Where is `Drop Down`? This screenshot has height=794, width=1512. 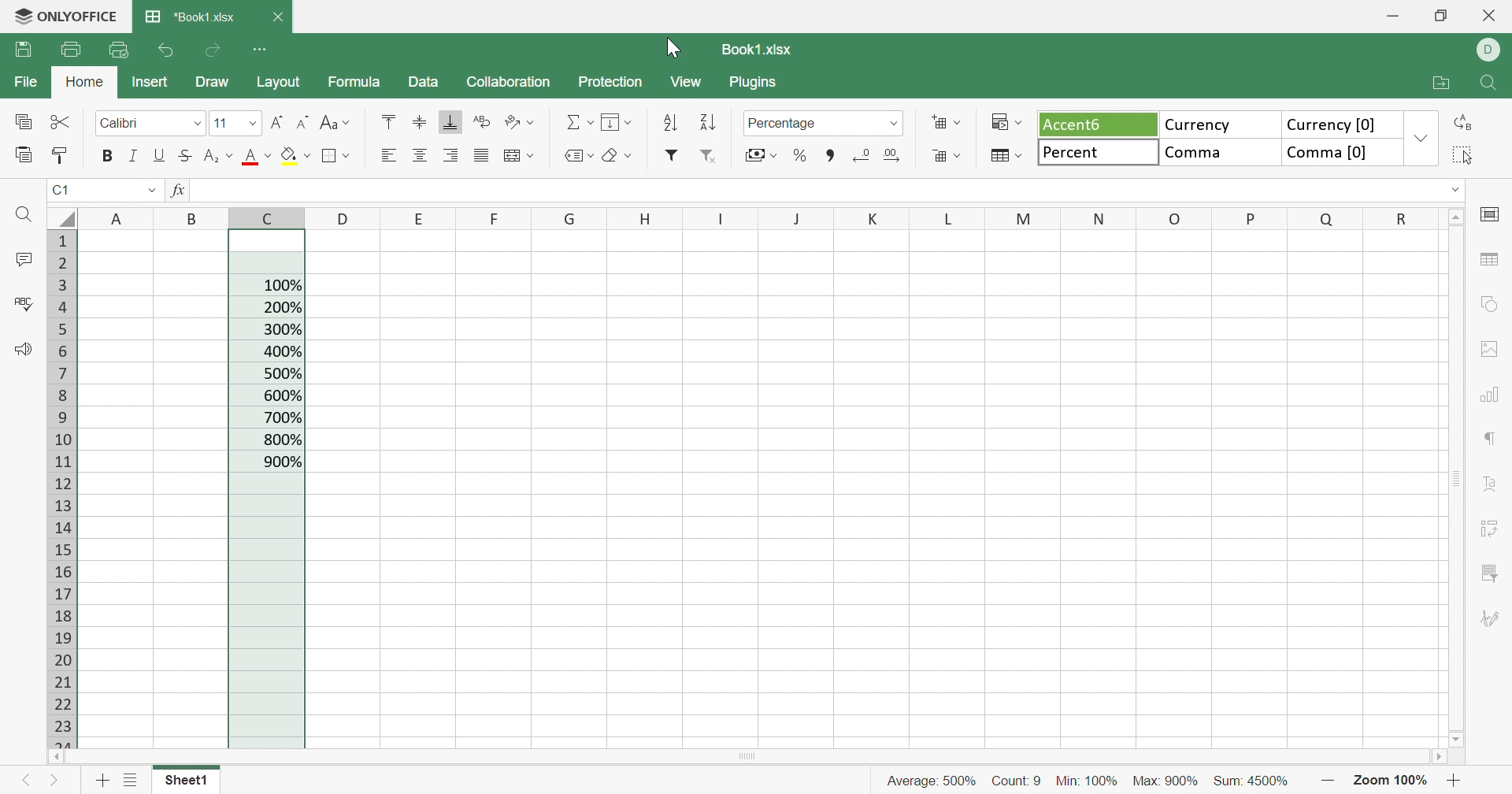 Drop Down is located at coordinates (195, 124).